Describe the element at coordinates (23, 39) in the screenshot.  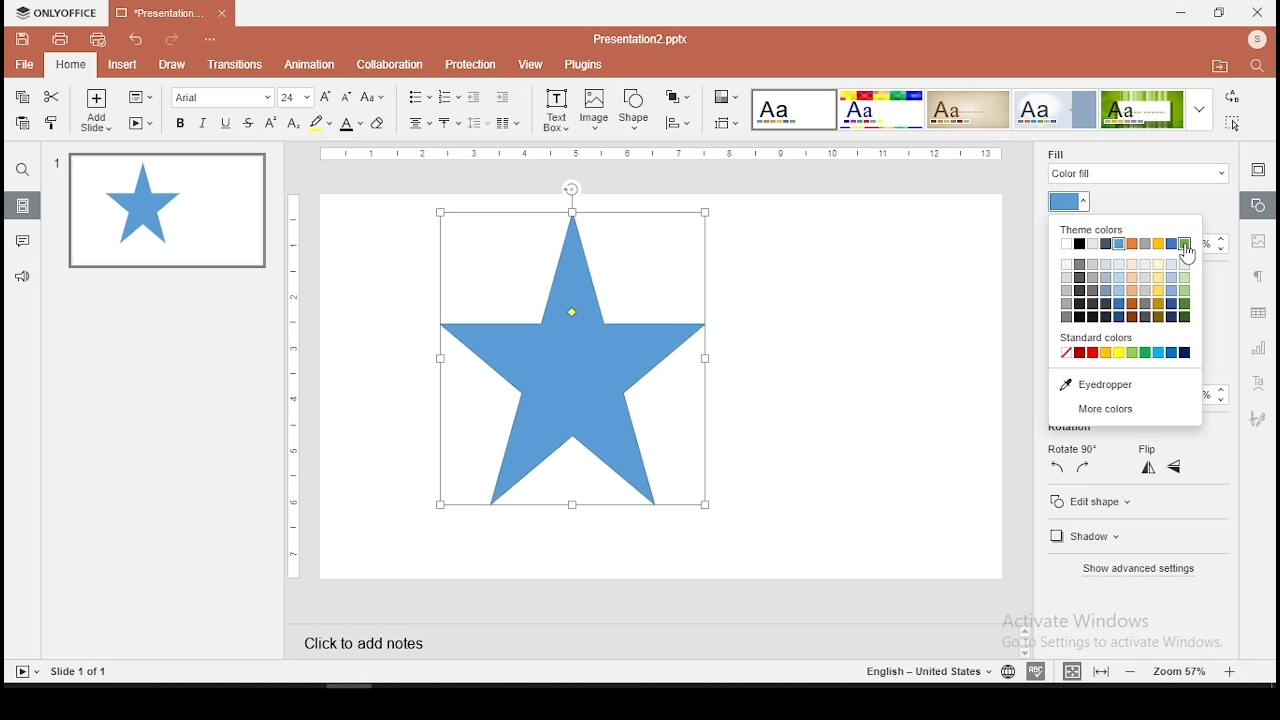
I see `save` at that location.